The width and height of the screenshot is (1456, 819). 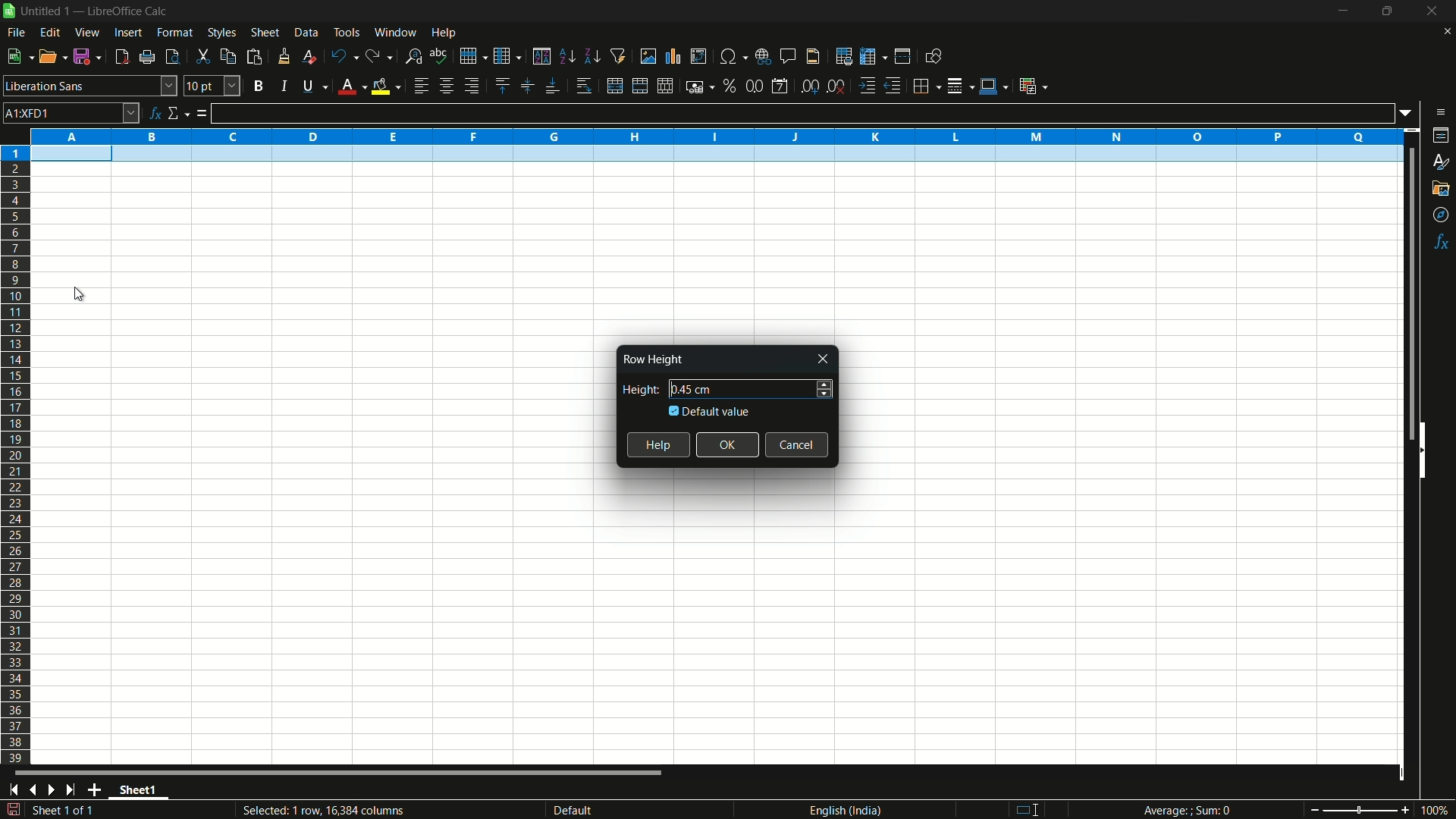 What do you see at coordinates (227, 56) in the screenshot?
I see `copy` at bounding box center [227, 56].